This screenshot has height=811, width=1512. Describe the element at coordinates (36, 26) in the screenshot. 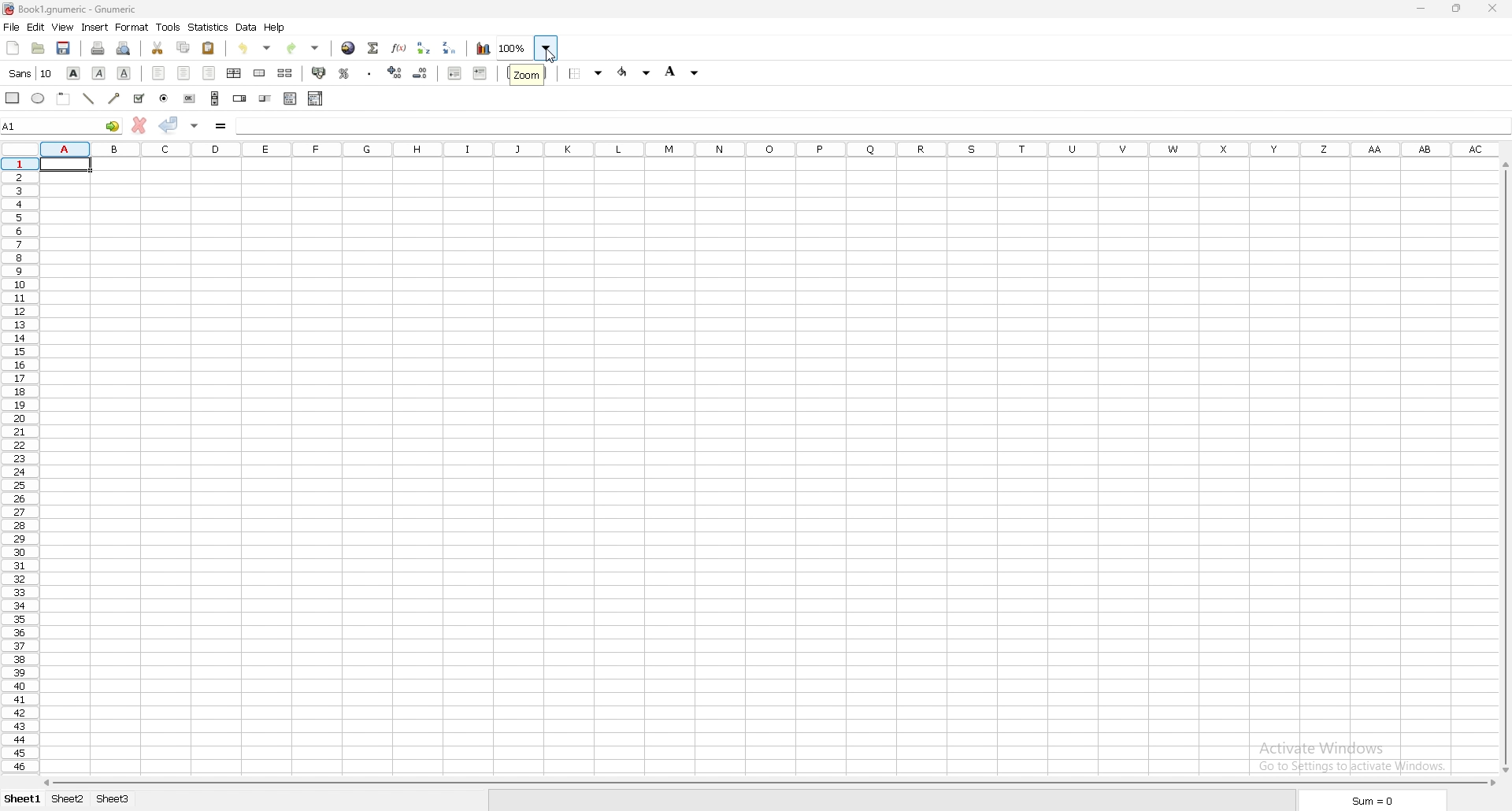

I see `edit` at that location.